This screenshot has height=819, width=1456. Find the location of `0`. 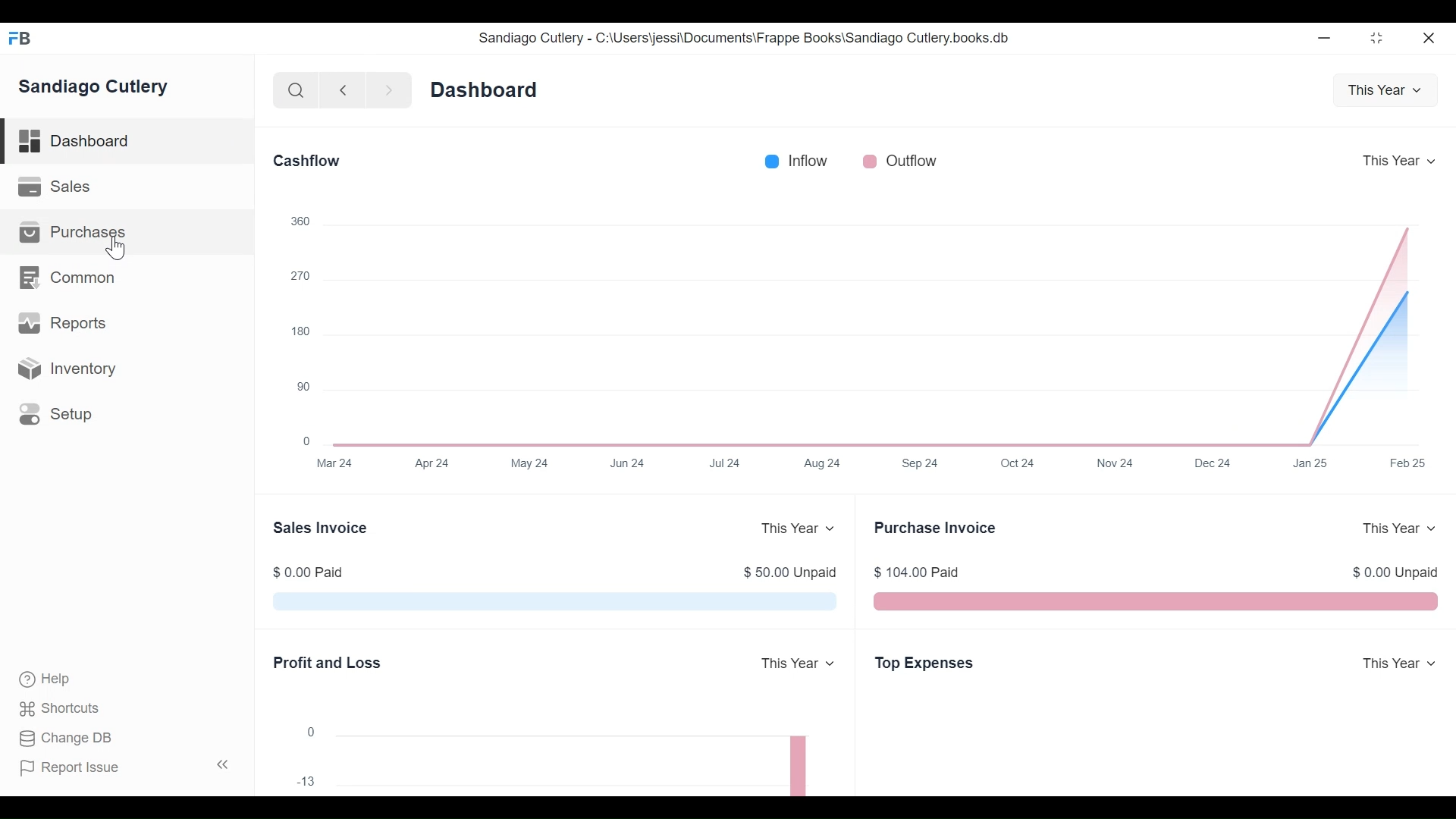

0 is located at coordinates (306, 441).